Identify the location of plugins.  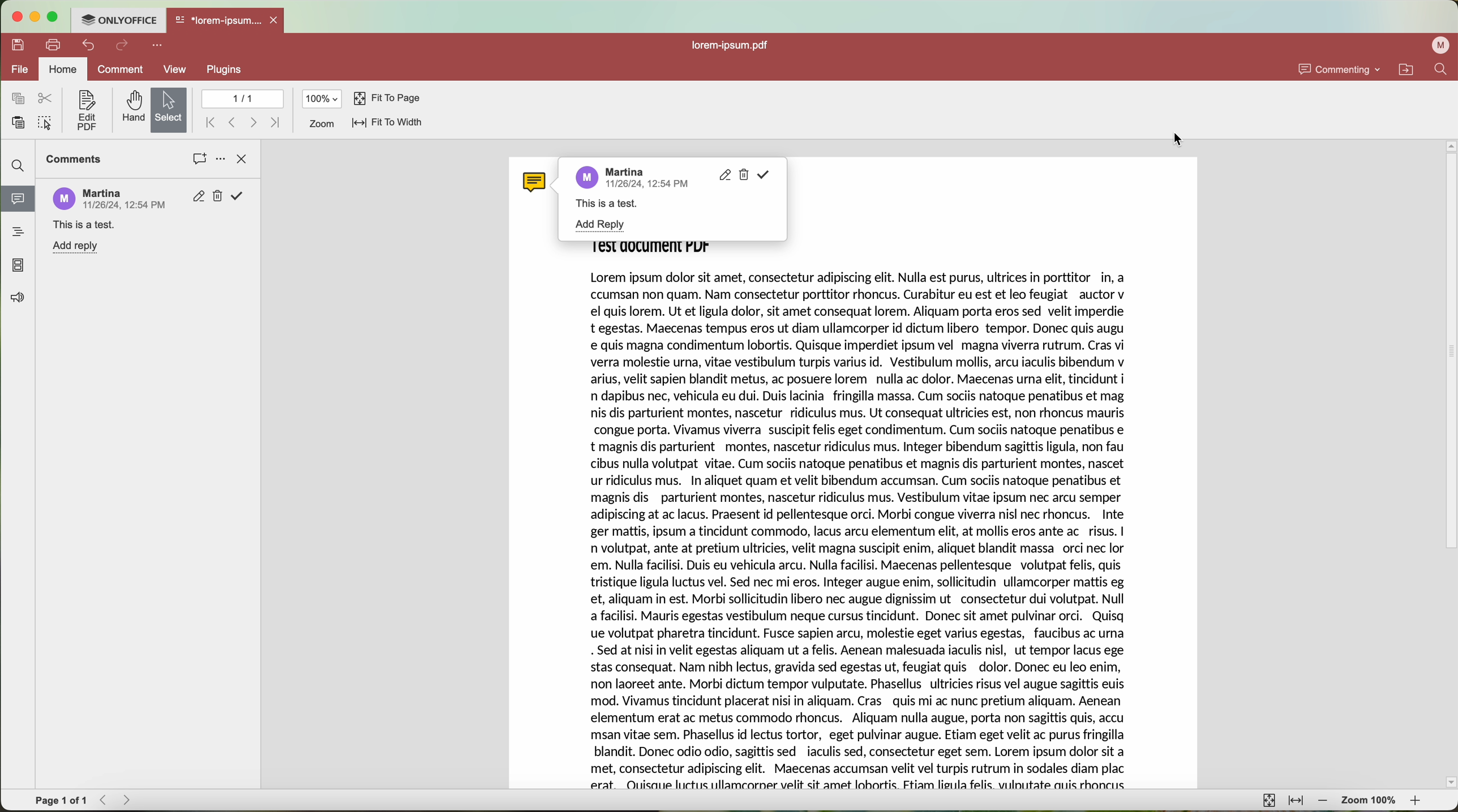
(223, 71).